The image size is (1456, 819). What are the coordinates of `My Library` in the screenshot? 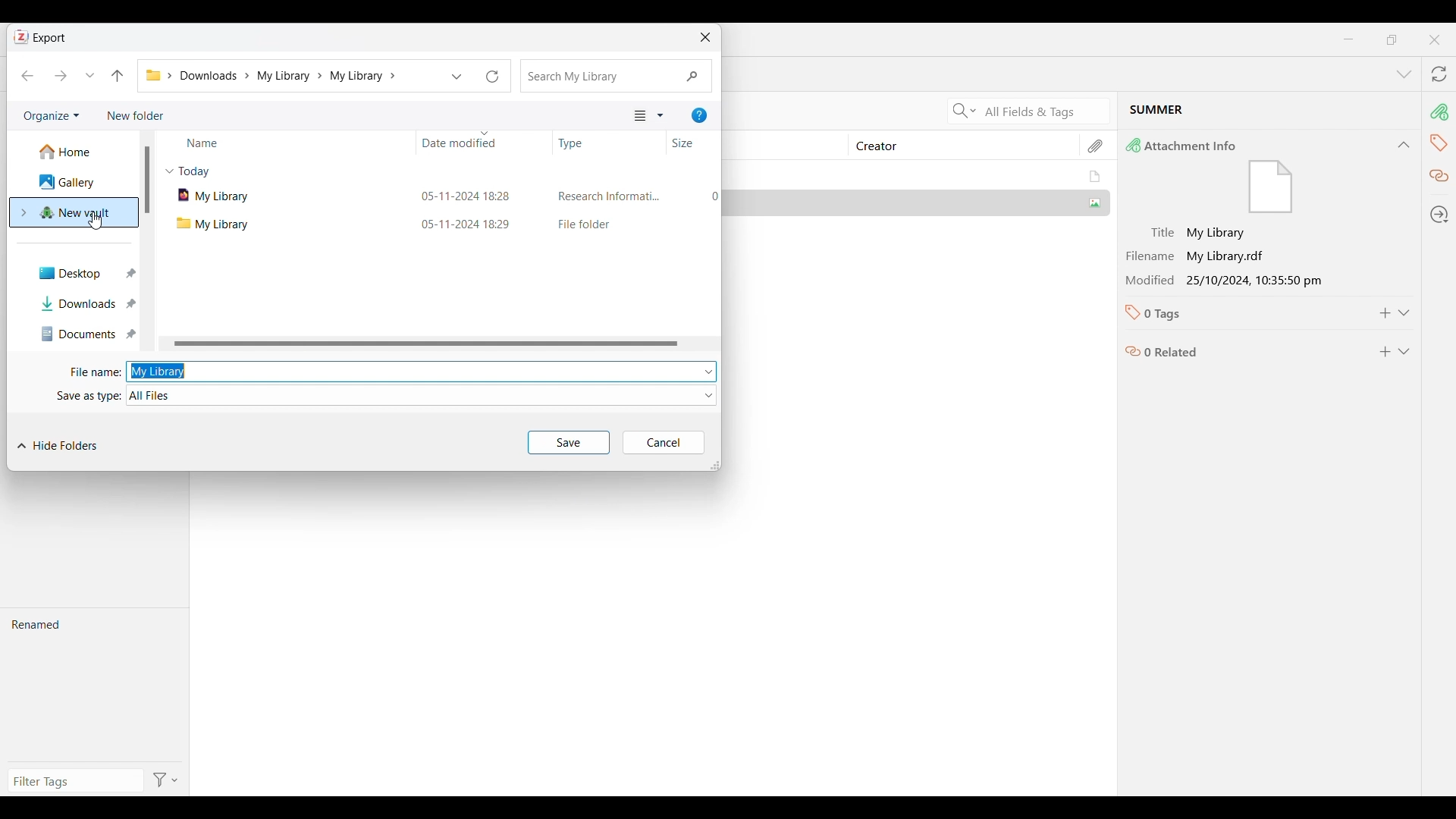 It's located at (275, 224).